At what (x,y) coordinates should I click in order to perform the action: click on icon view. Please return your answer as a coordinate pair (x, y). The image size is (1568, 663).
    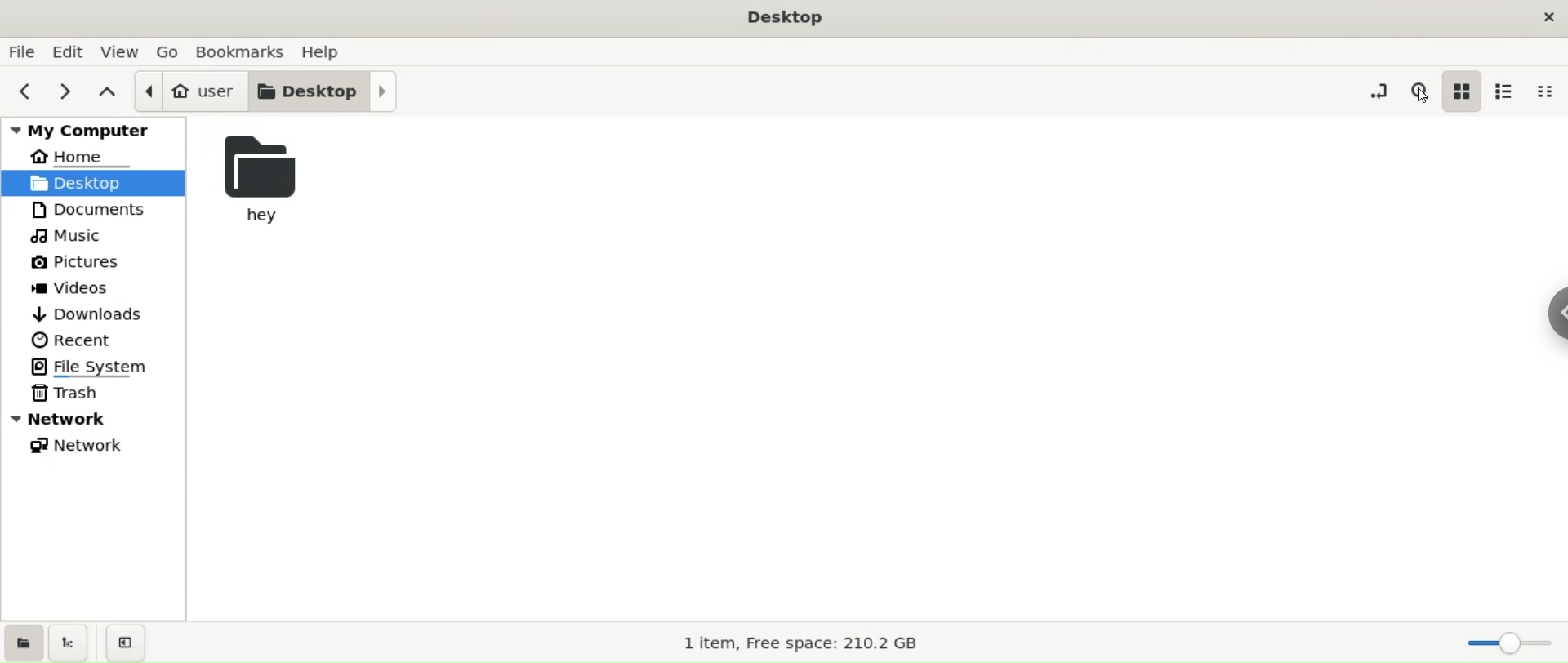
    Looking at the image, I should click on (1465, 93).